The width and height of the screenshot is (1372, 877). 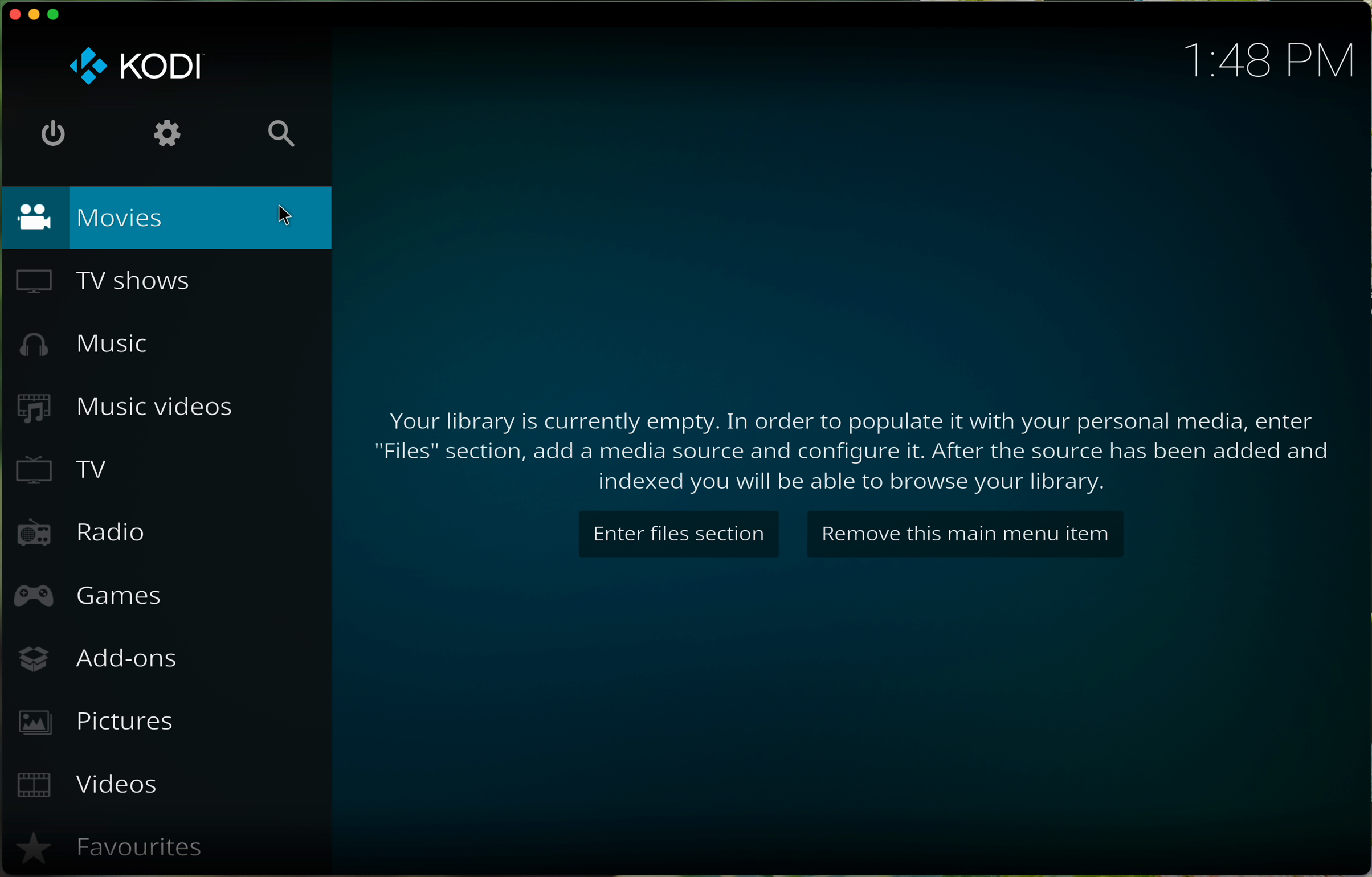 I want to click on cursor, so click(x=287, y=217).